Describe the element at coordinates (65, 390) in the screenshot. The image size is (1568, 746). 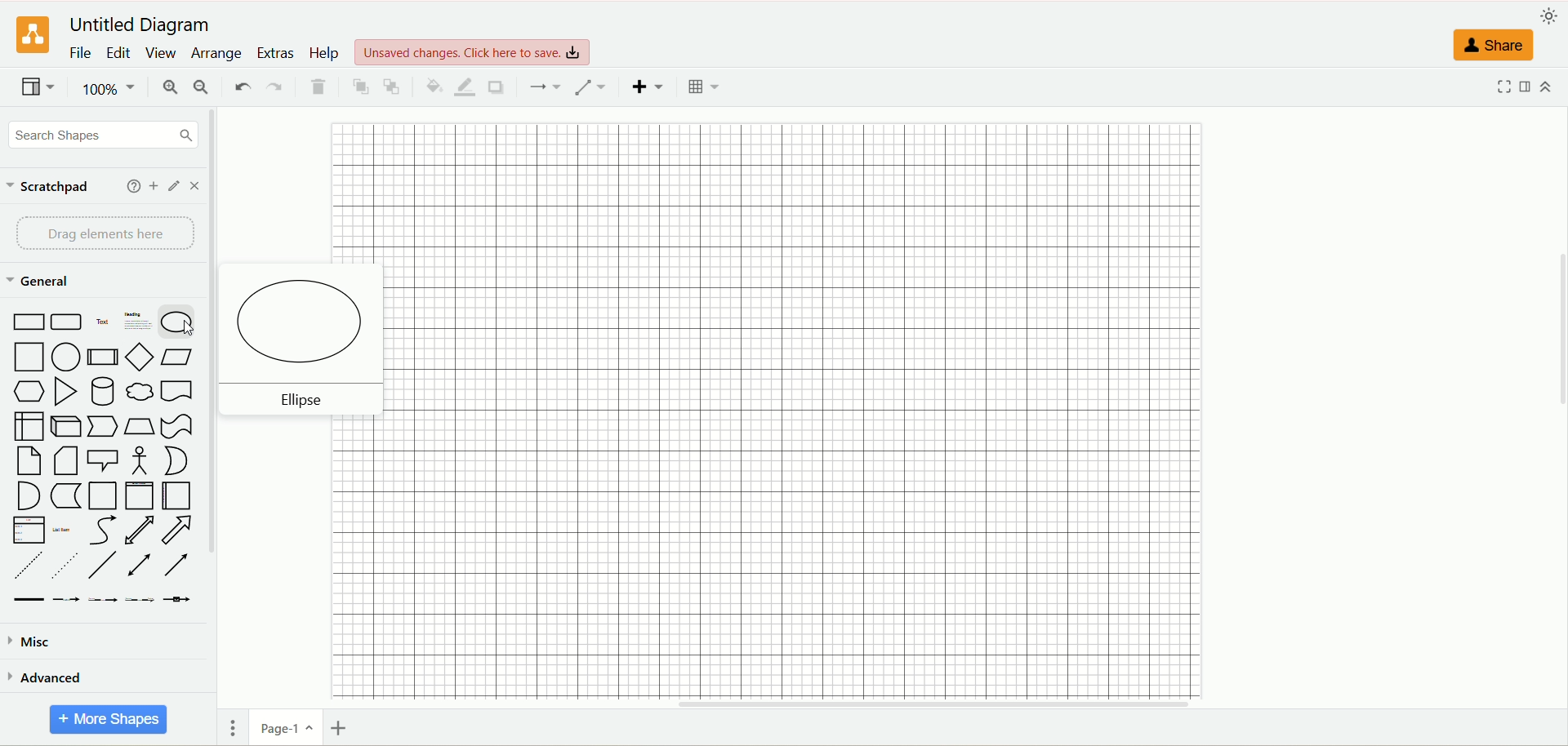
I see `triangle` at that location.